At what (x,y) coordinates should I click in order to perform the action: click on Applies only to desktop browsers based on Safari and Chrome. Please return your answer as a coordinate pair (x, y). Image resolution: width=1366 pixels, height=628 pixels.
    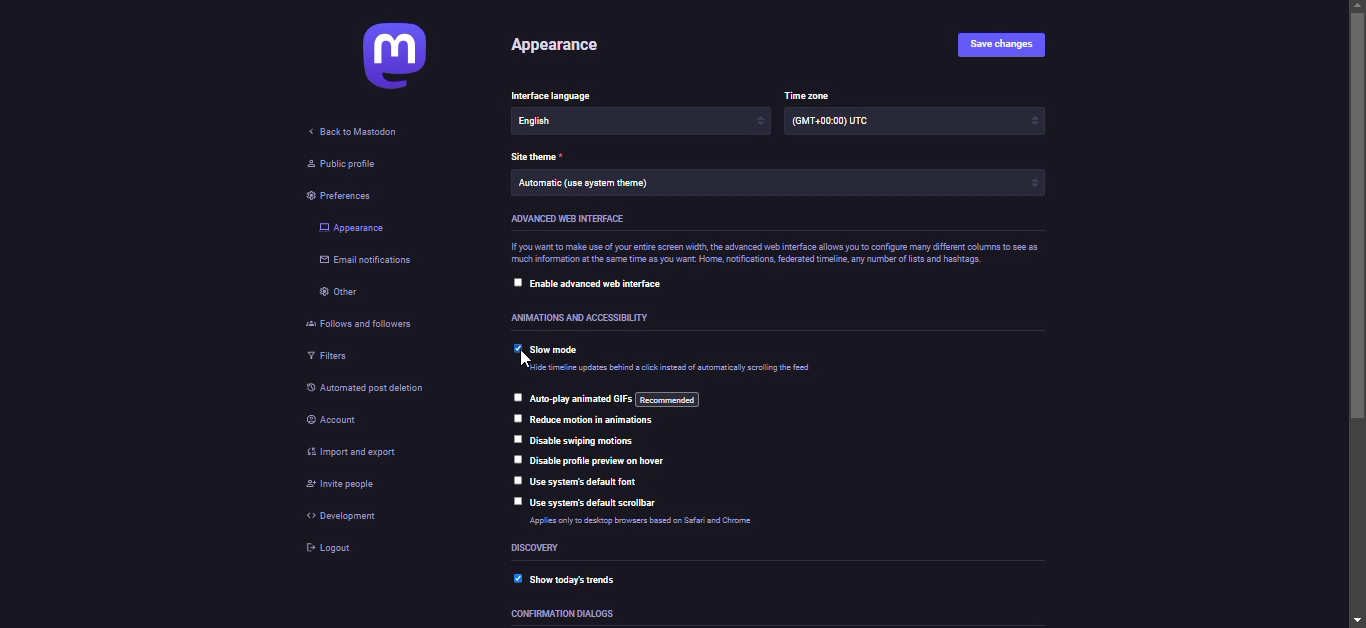
    Looking at the image, I should click on (663, 522).